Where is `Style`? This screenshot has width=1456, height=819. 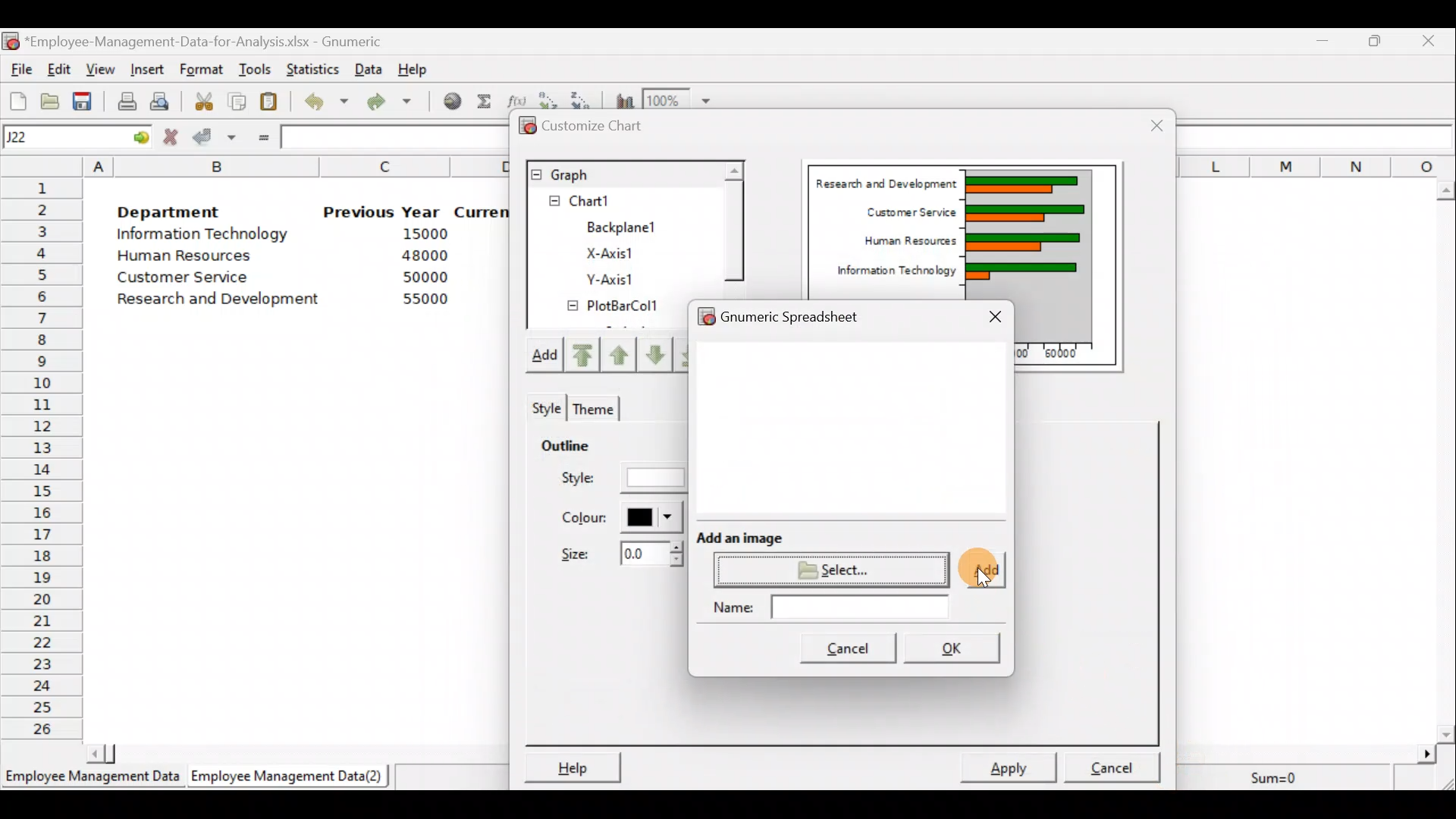 Style is located at coordinates (544, 406).